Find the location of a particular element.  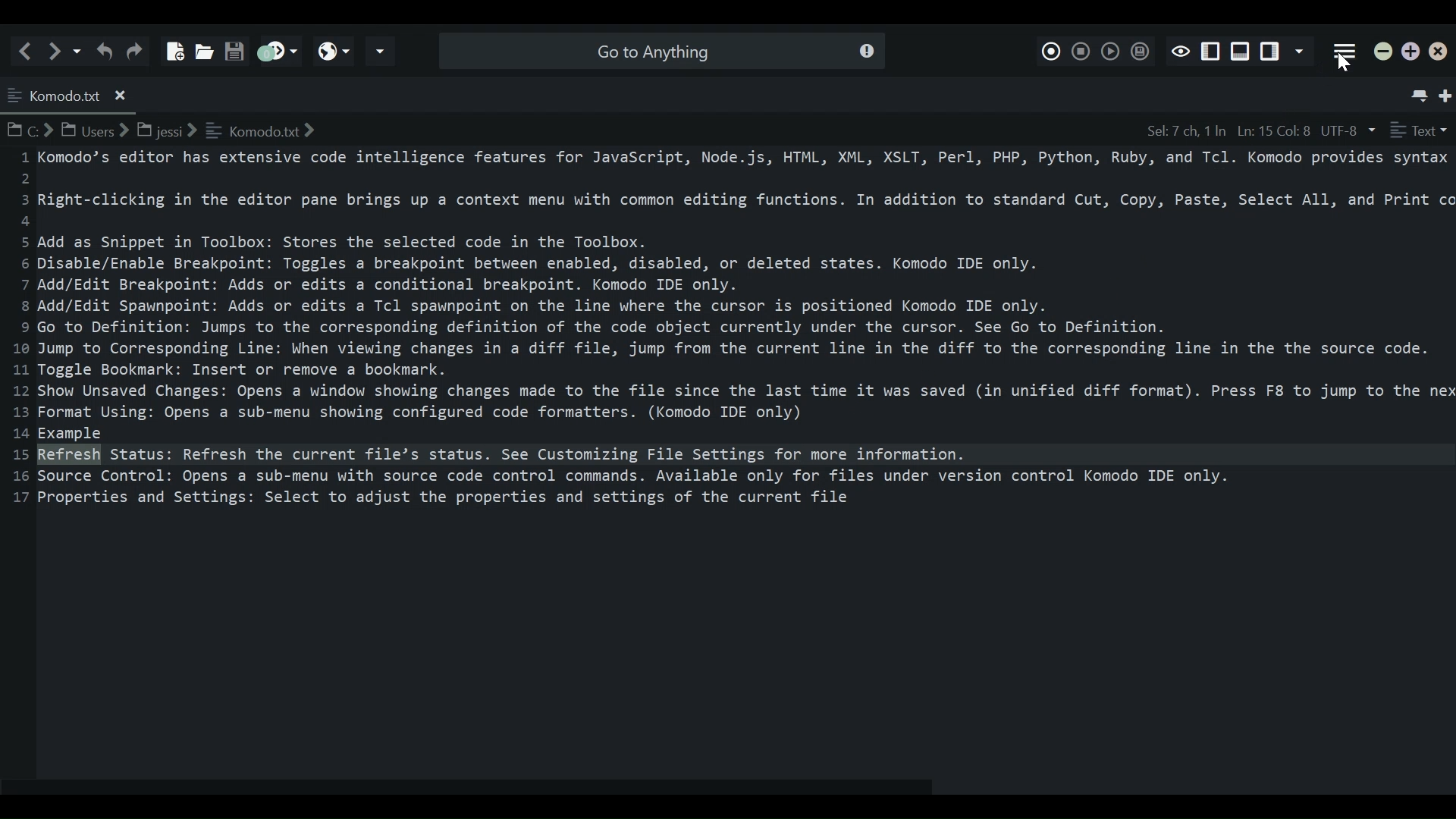

Show/Hide Right Pane is located at coordinates (1211, 52).